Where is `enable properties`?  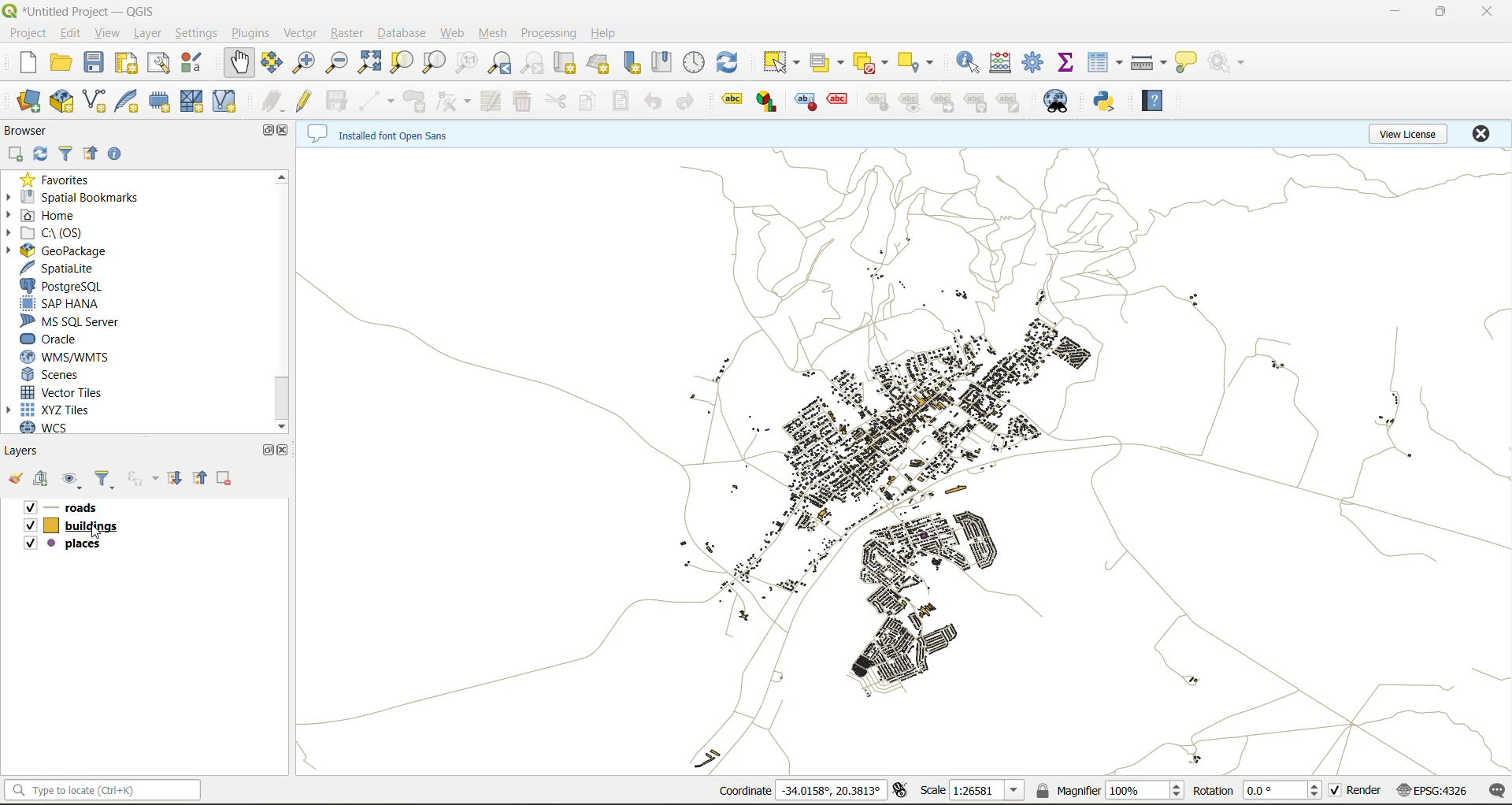 enable properties is located at coordinates (114, 153).